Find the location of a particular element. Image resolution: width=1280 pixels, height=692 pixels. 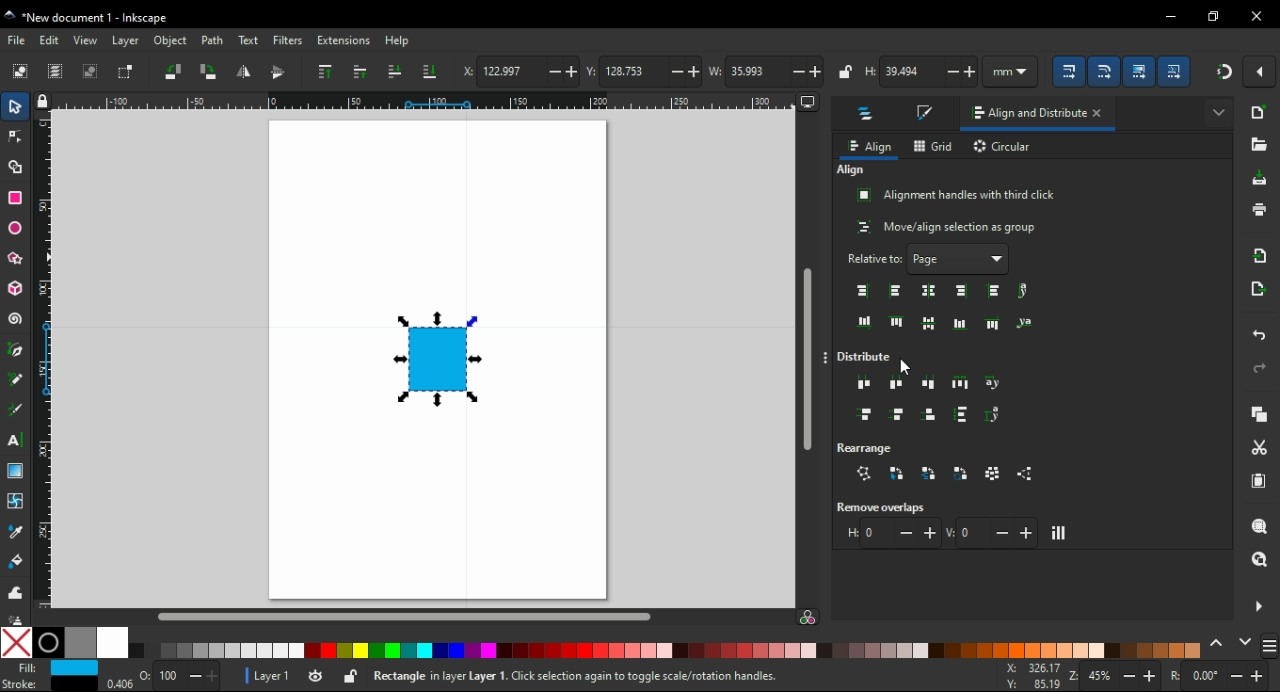

extensions is located at coordinates (344, 40).